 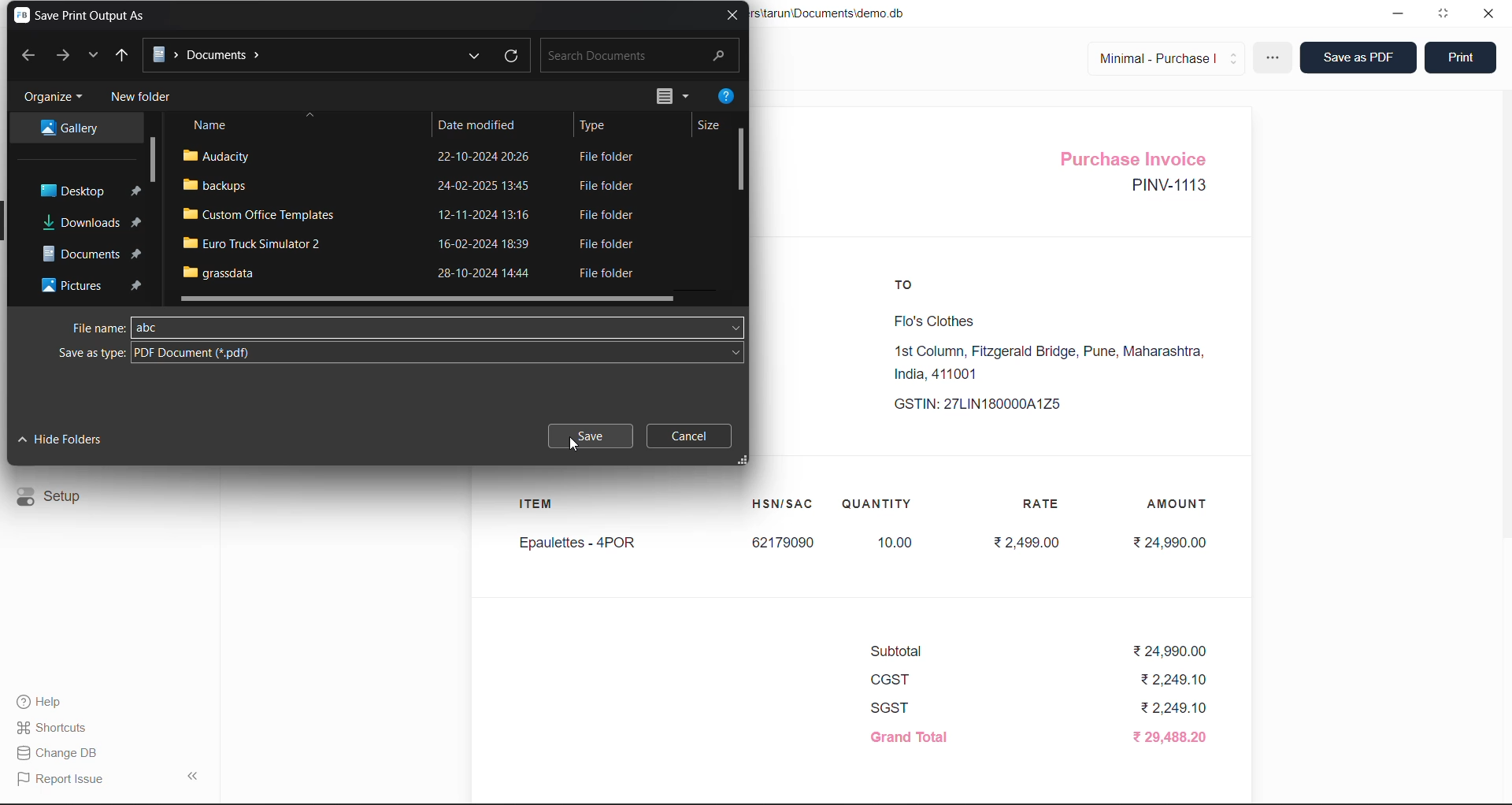 What do you see at coordinates (1488, 17) in the screenshot?
I see `close` at bounding box center [1488, 17].